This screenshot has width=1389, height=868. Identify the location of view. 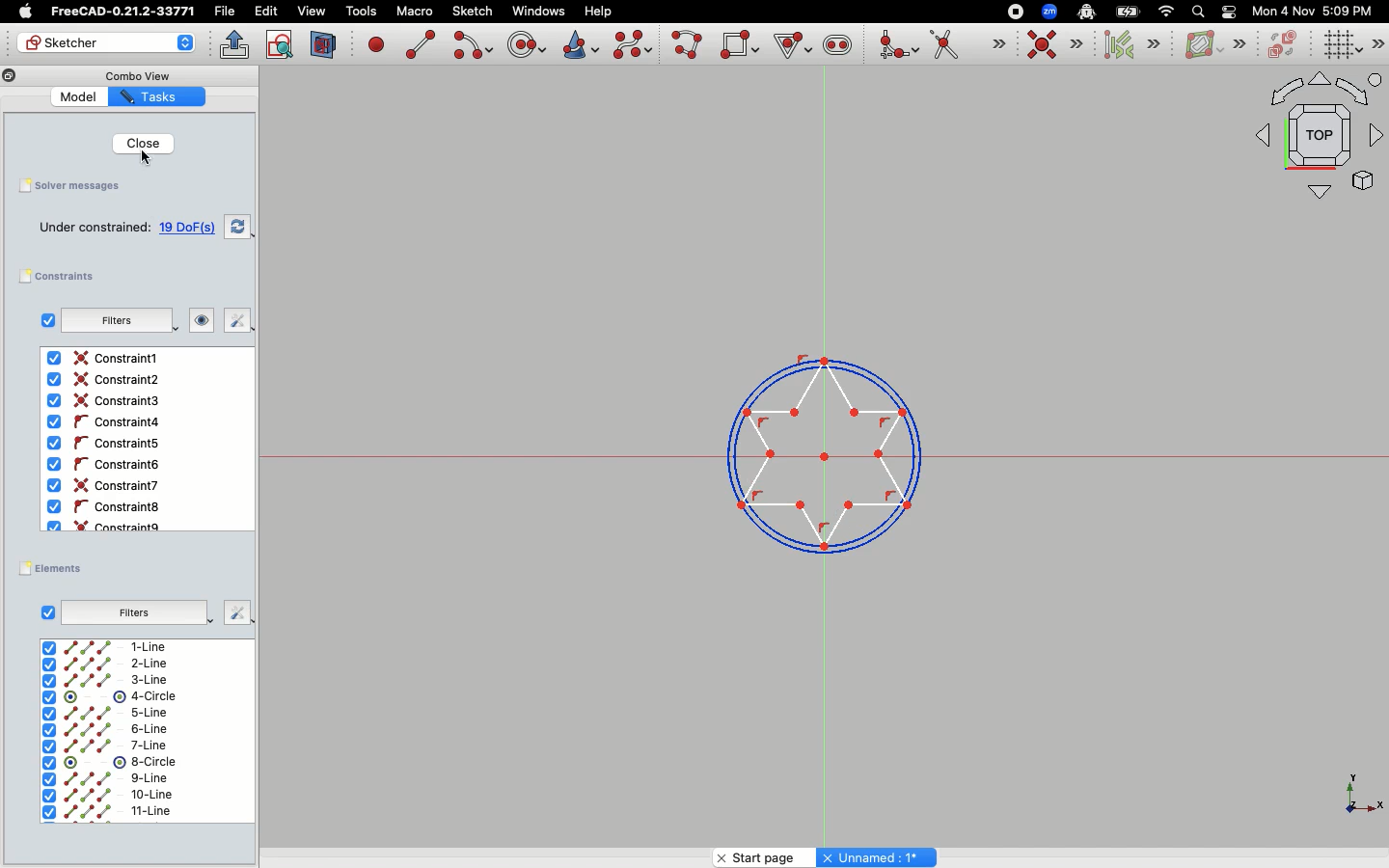
(312, 11).